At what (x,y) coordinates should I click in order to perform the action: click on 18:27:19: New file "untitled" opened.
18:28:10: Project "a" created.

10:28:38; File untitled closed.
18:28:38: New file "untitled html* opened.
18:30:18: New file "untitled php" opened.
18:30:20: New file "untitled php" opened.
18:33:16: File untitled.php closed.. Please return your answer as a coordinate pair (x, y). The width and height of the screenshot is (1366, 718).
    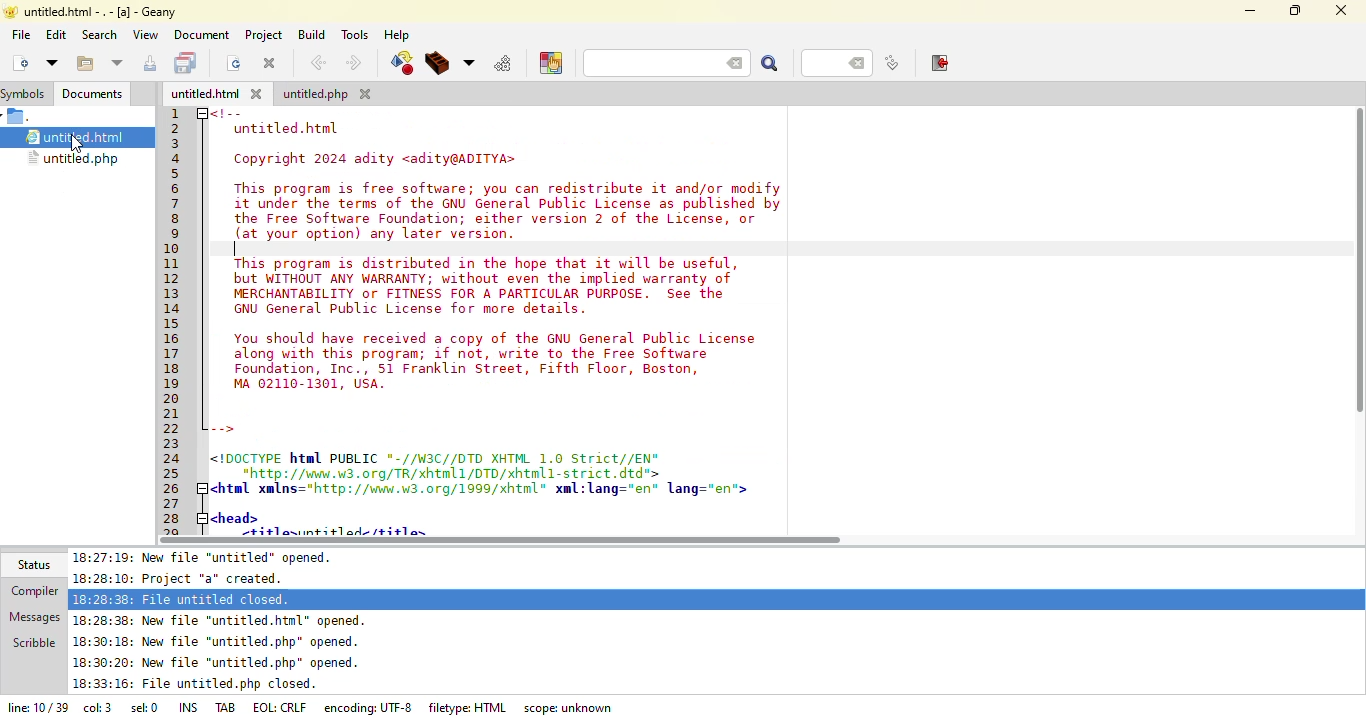
    Looking at the image, I should click on (235, 620).